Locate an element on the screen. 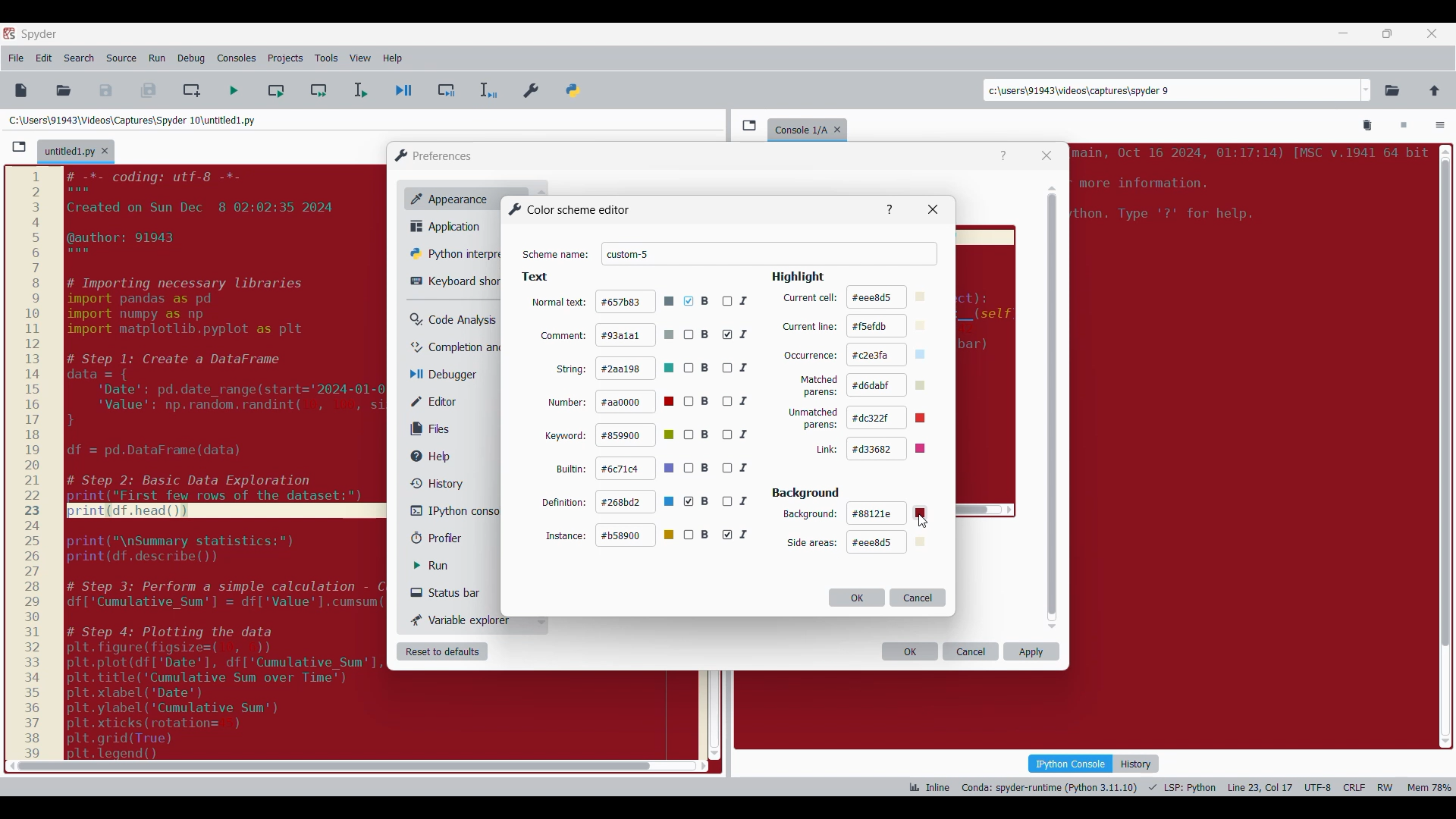 The height and width of the screenshot is (819, 1456). current line is located at coordinates (809, 327).